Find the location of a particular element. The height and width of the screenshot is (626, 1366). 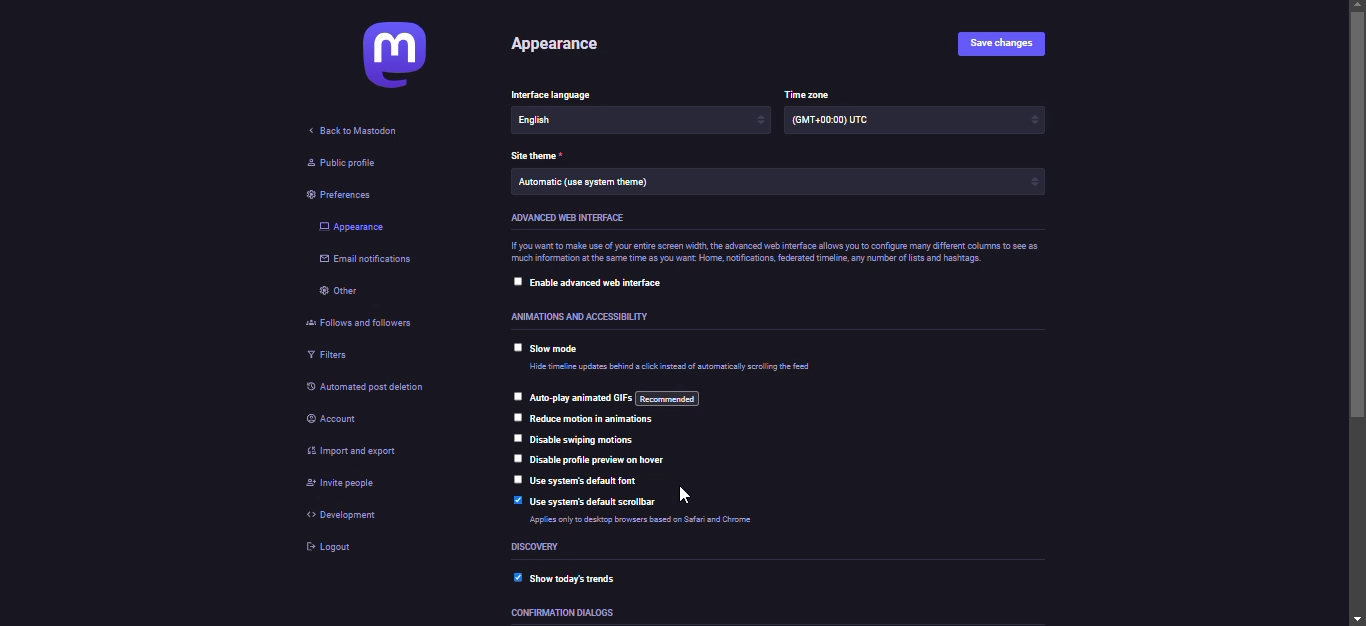

back to mastodon is located at coordinates (355, 133).